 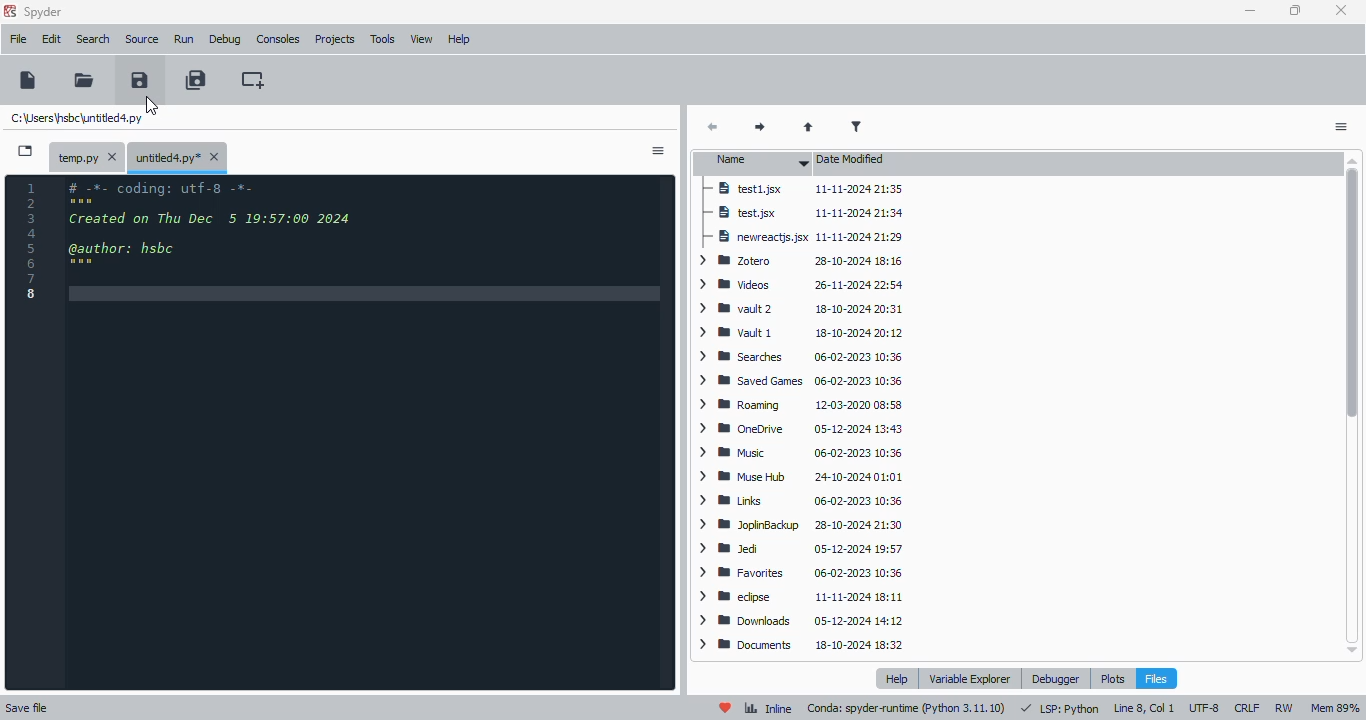 What do you see at coordinates (1056, 678) in the screenshot?
I see `debugger` at bounding box center [1056, 678].